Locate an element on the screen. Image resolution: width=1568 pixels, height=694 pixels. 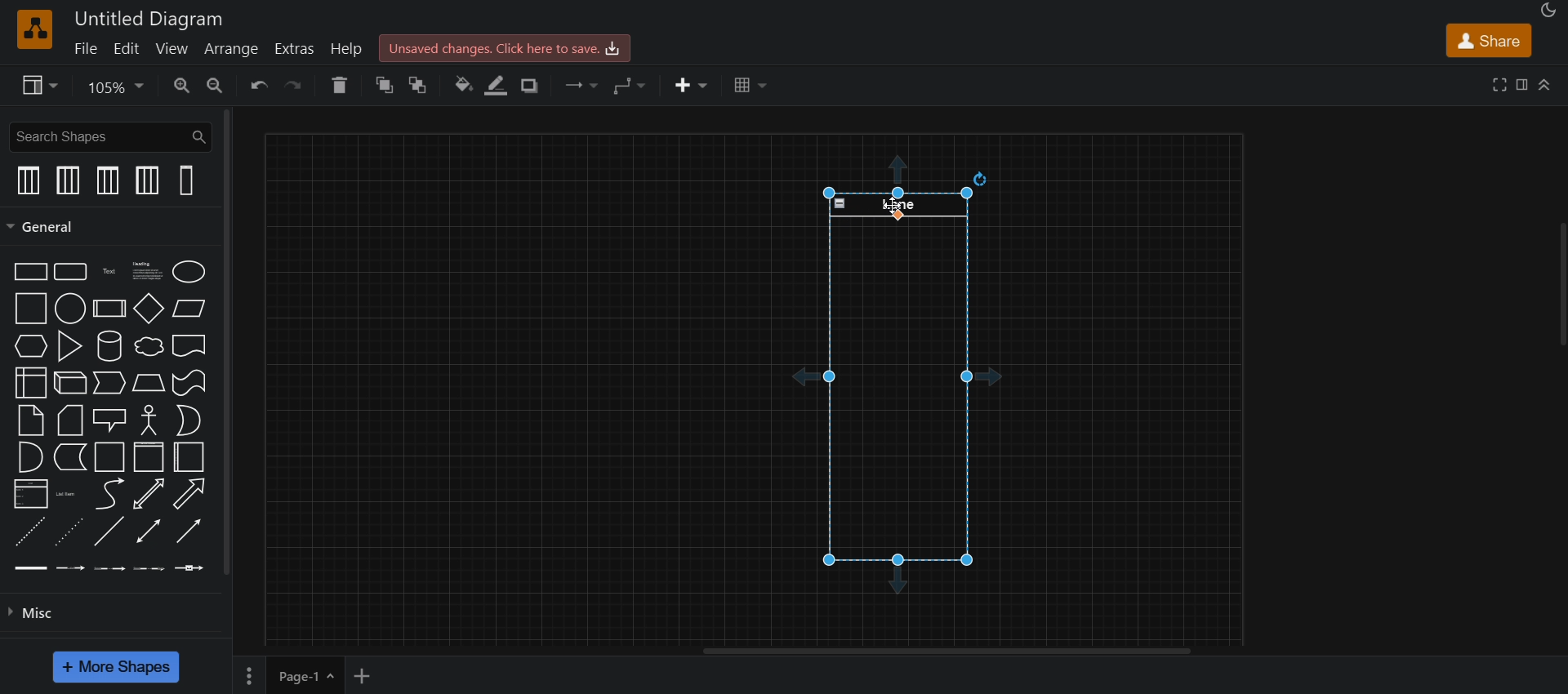
line is located at coordinates (109, 531).